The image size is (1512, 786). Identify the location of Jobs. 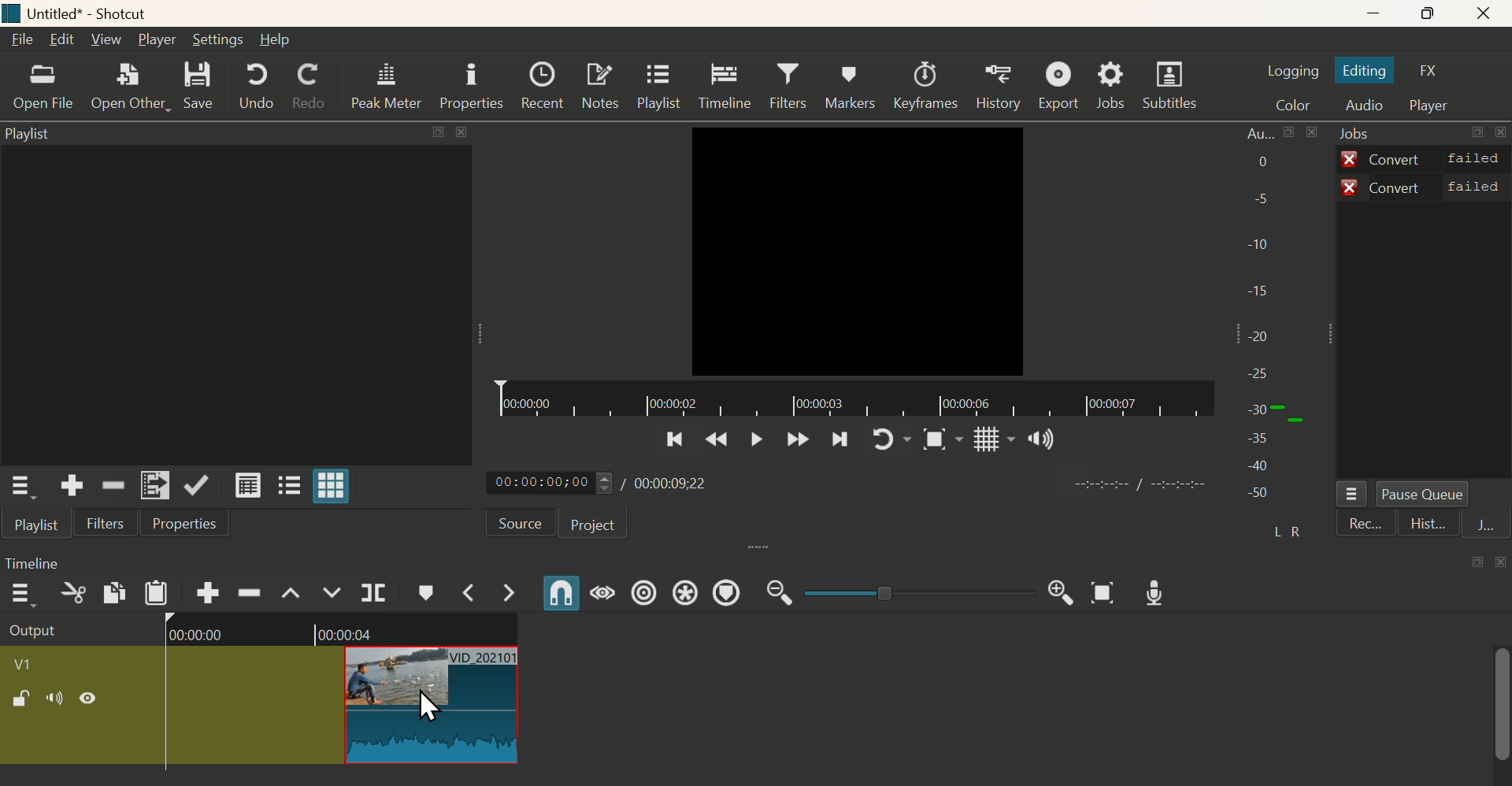
(1117, 85).